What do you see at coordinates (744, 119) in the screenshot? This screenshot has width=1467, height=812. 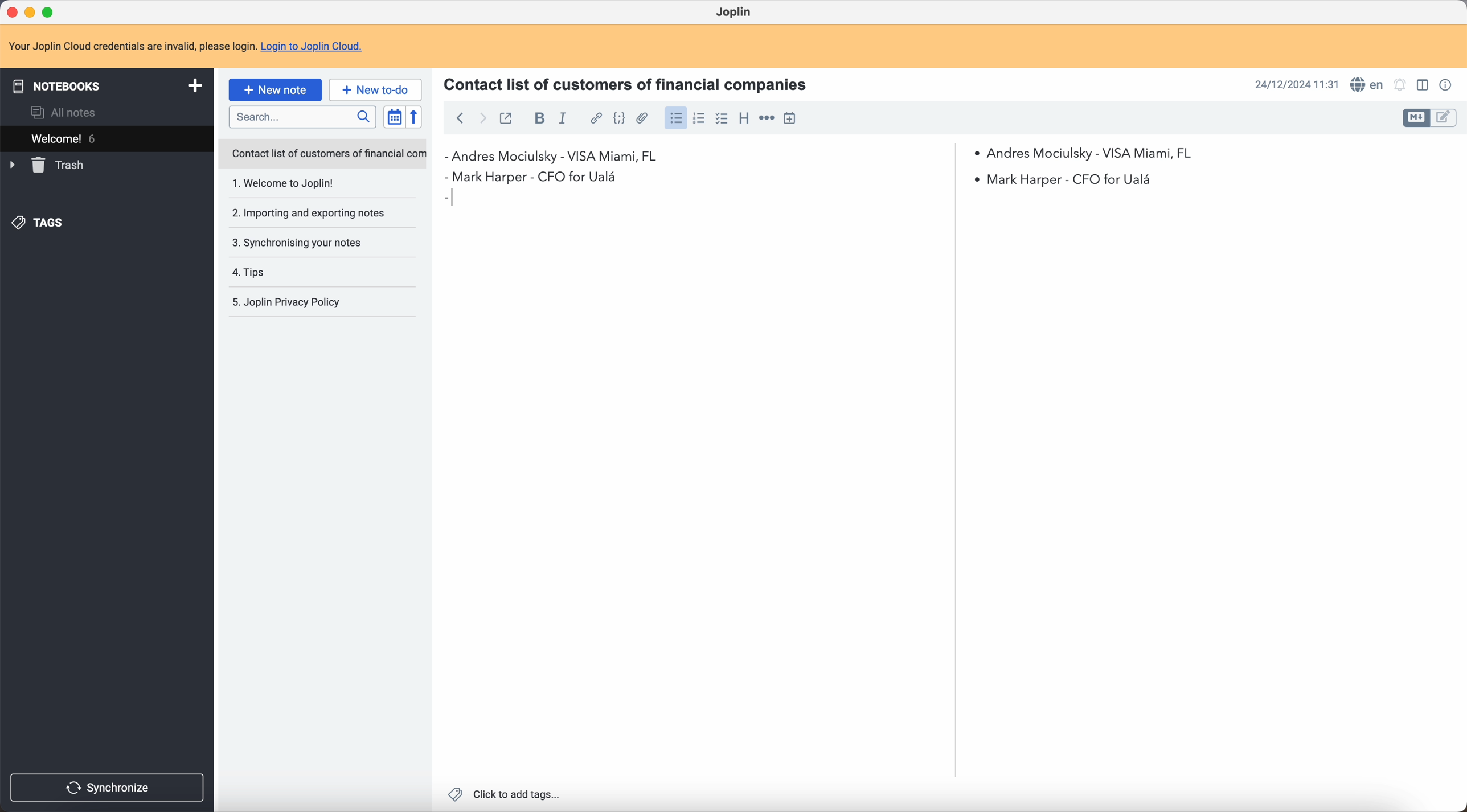 I see `heading` at bounding box center [744, 119].